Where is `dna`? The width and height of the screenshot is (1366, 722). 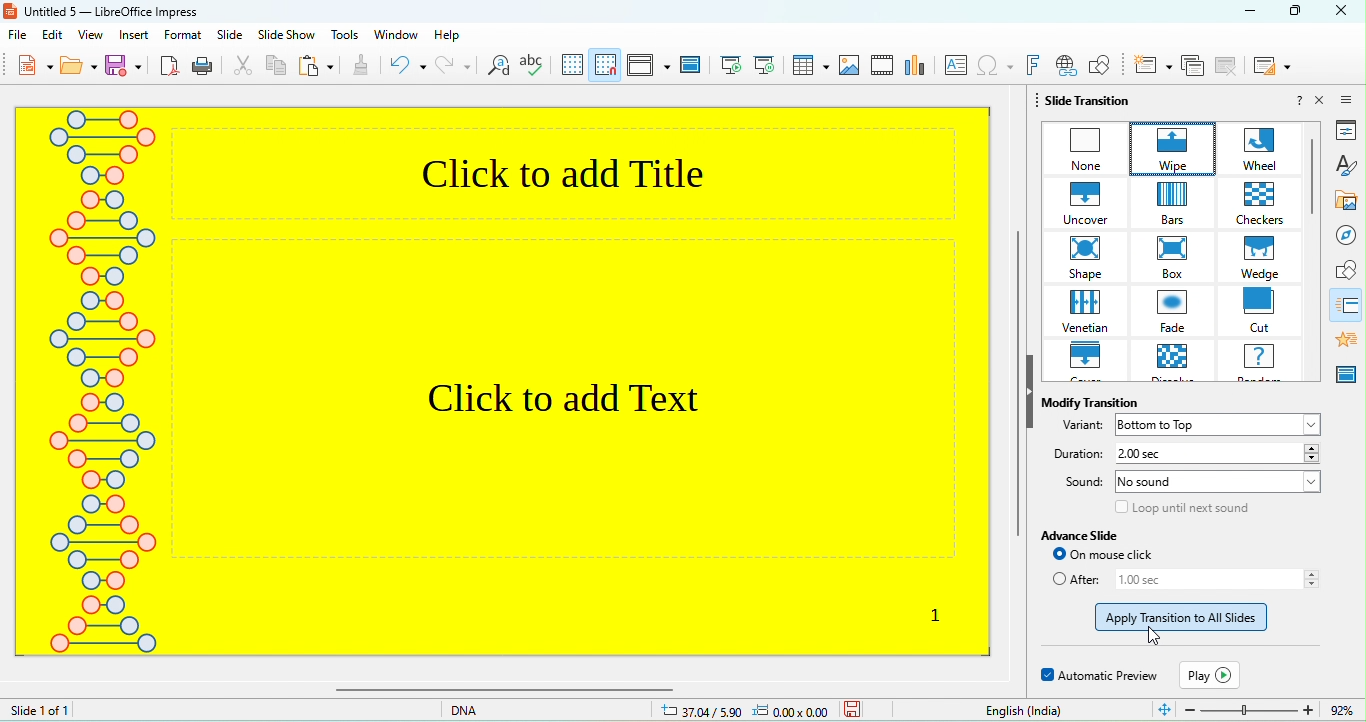
dna is located at coordinates (480, 711).